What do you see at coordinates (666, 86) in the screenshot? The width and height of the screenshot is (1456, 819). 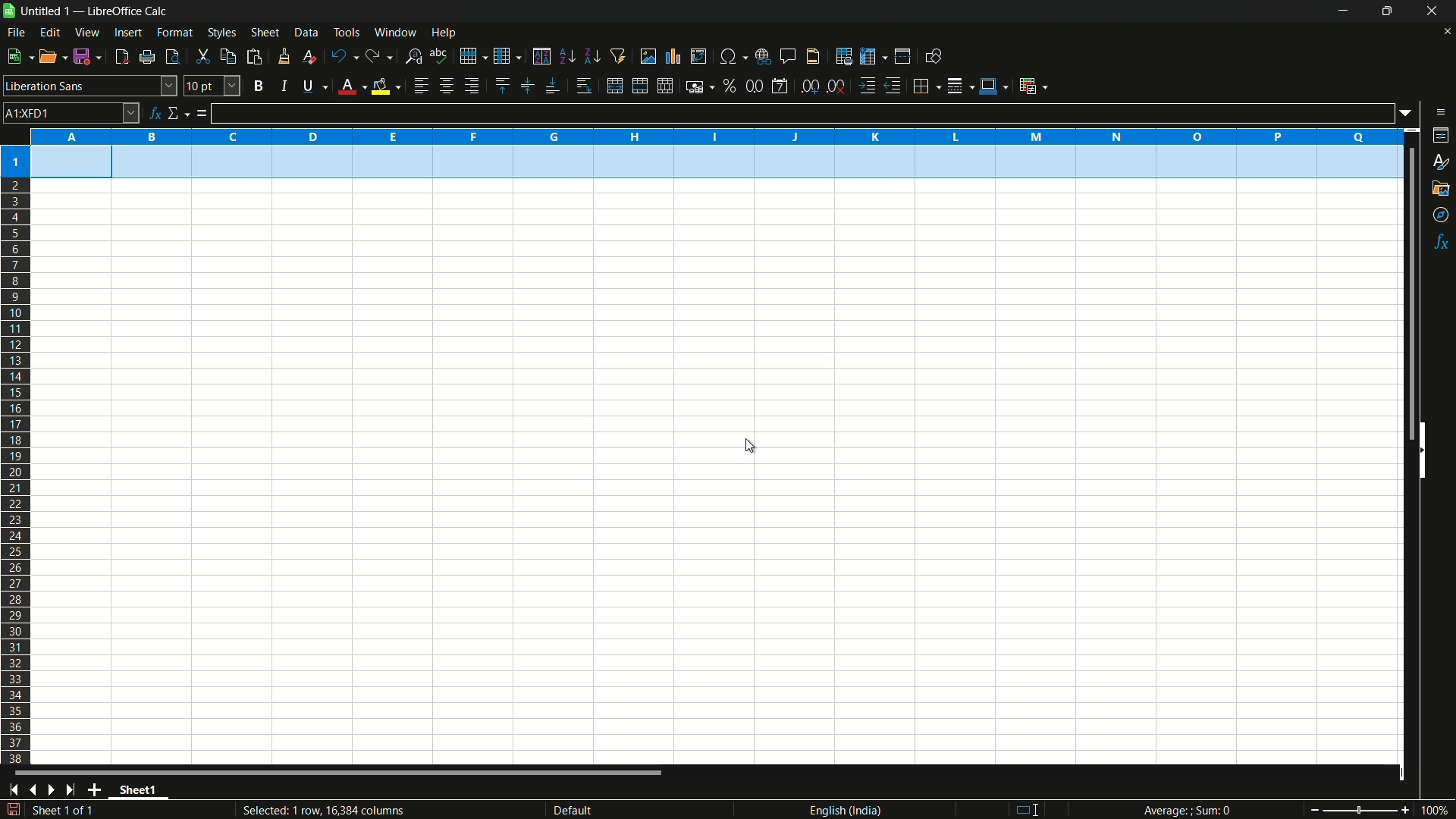 I see `unmerge cells` at bounding box center [666, 86].